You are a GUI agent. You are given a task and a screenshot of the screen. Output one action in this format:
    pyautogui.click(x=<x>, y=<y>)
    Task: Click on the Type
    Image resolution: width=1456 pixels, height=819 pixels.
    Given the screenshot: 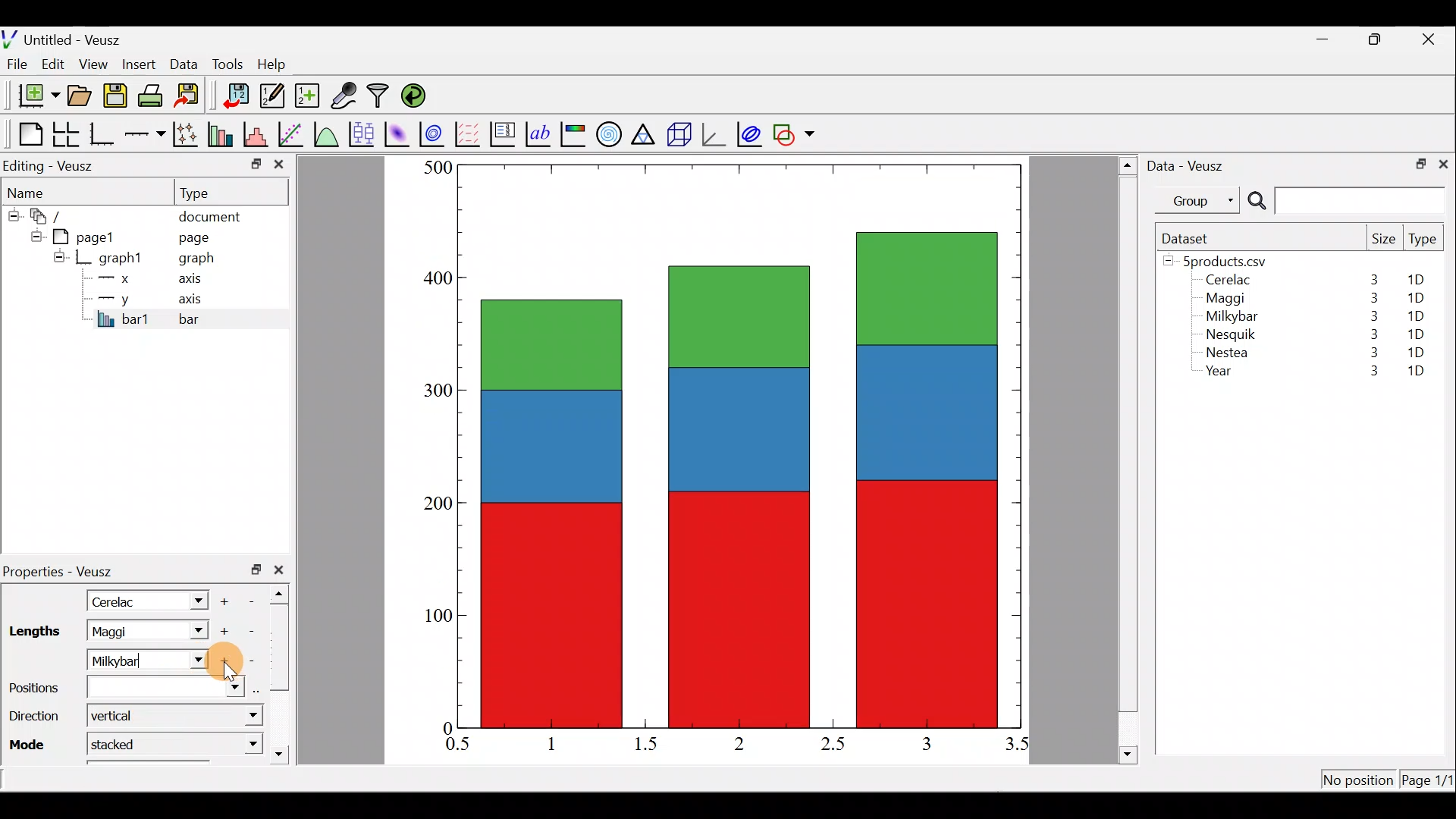 What is the action you would take?
    pyautogui.click(x=209, y=192)
    